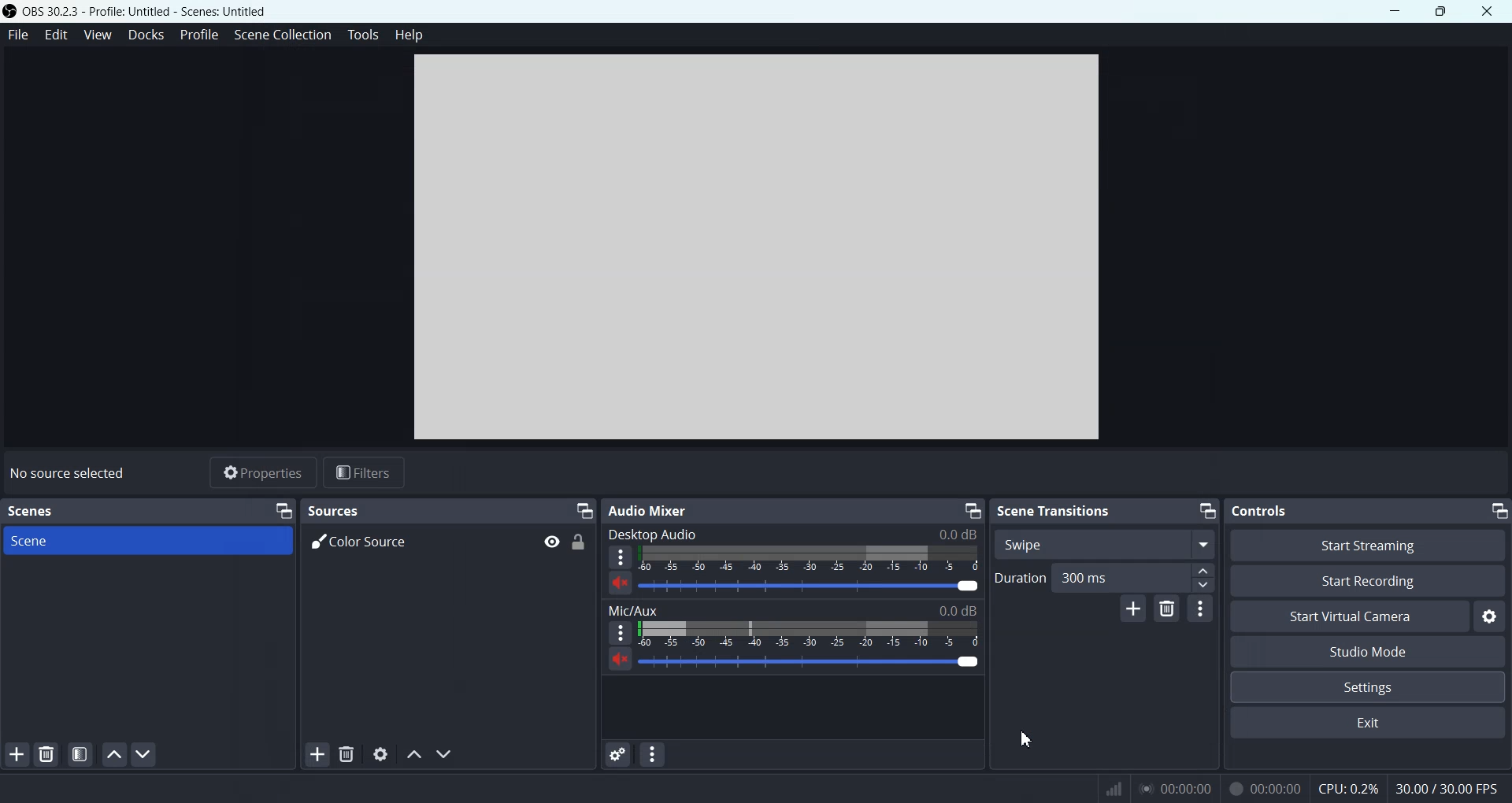 This screenshot has height=803, width=1512. Describe the element at coordinates (810, 662) in the screenshot. I see `Volume Adjuster` at that location.